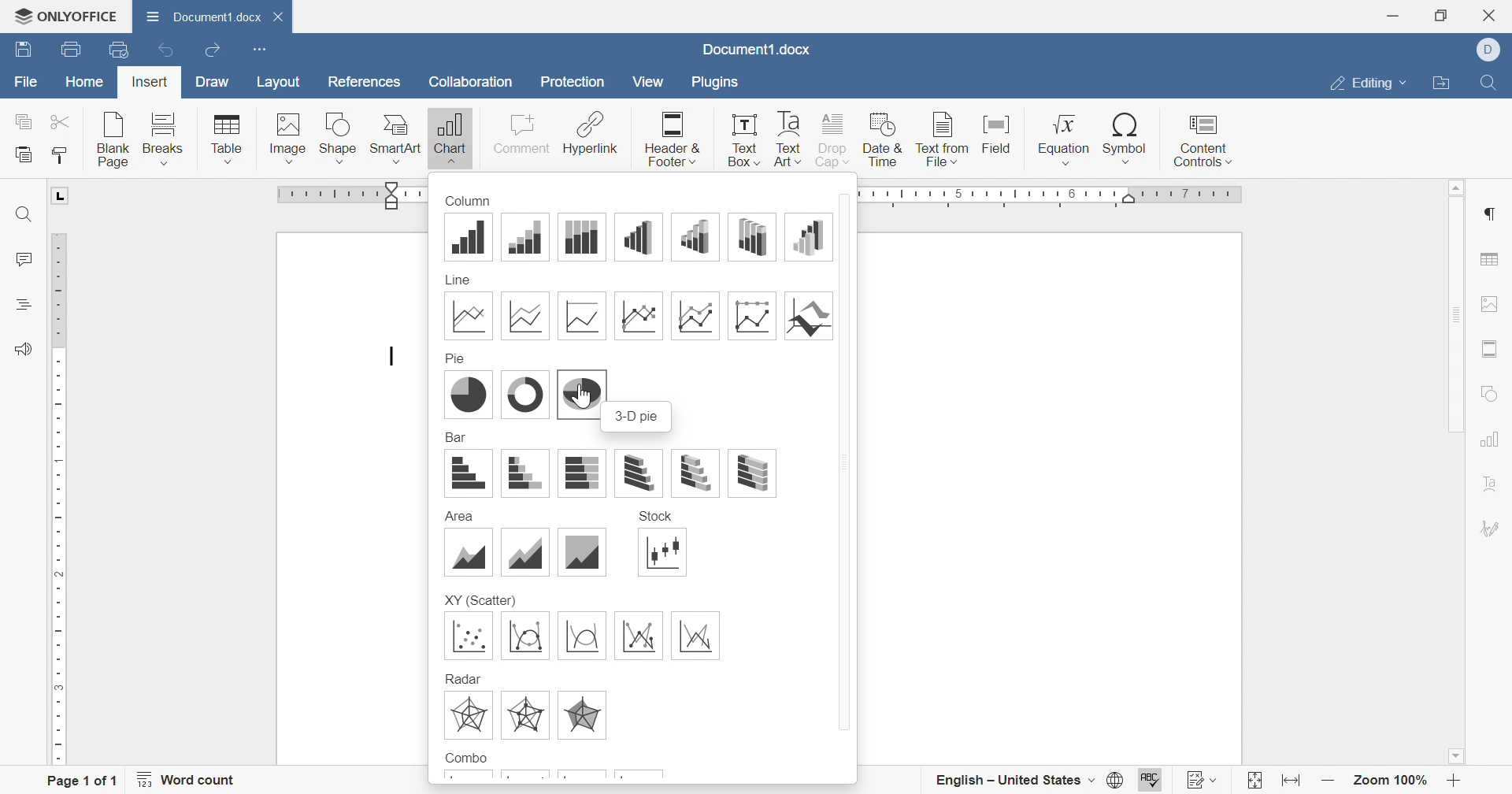 The width and height of the screenshot is (1512, 794). Describe the element at coordinates (695, 316) in the screenshot. I see `Stacked lines with markers` at that location.